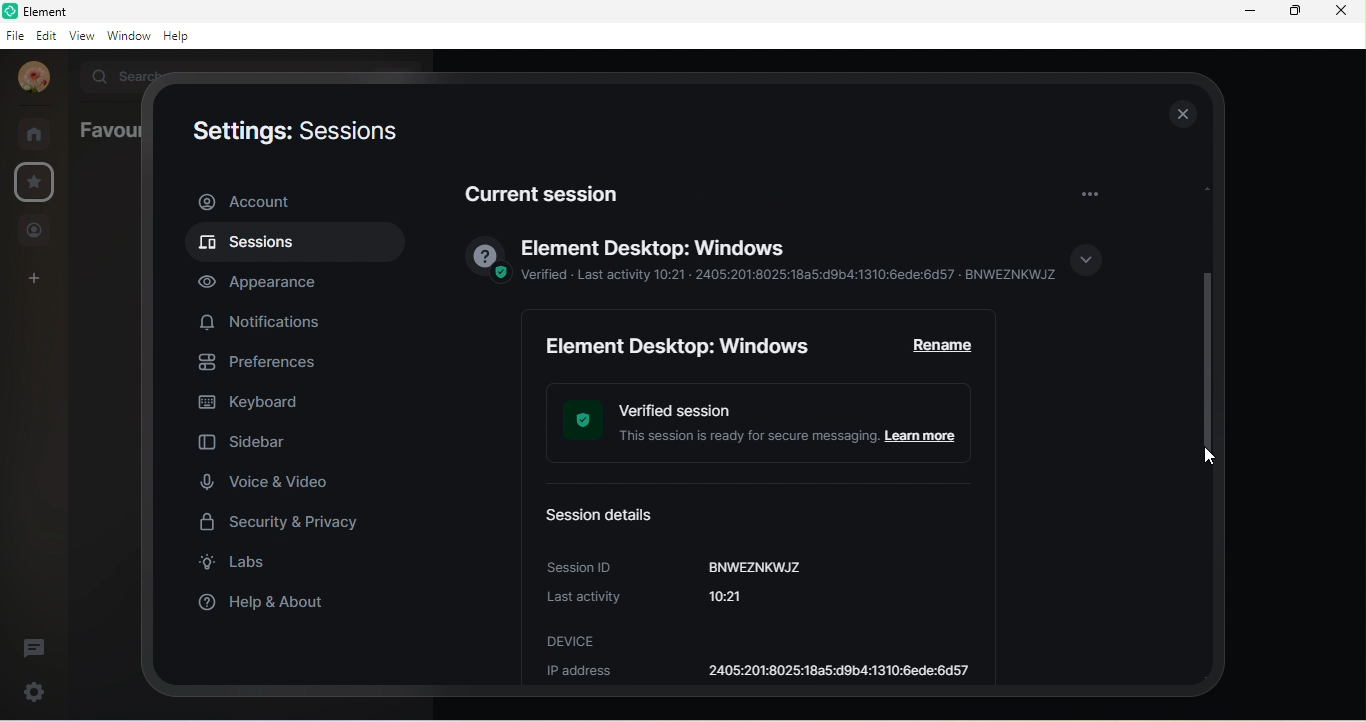 Image resolution: width=1366 pixels, height=722 pixels. I want to click on element desktop window, so click(655, 248).